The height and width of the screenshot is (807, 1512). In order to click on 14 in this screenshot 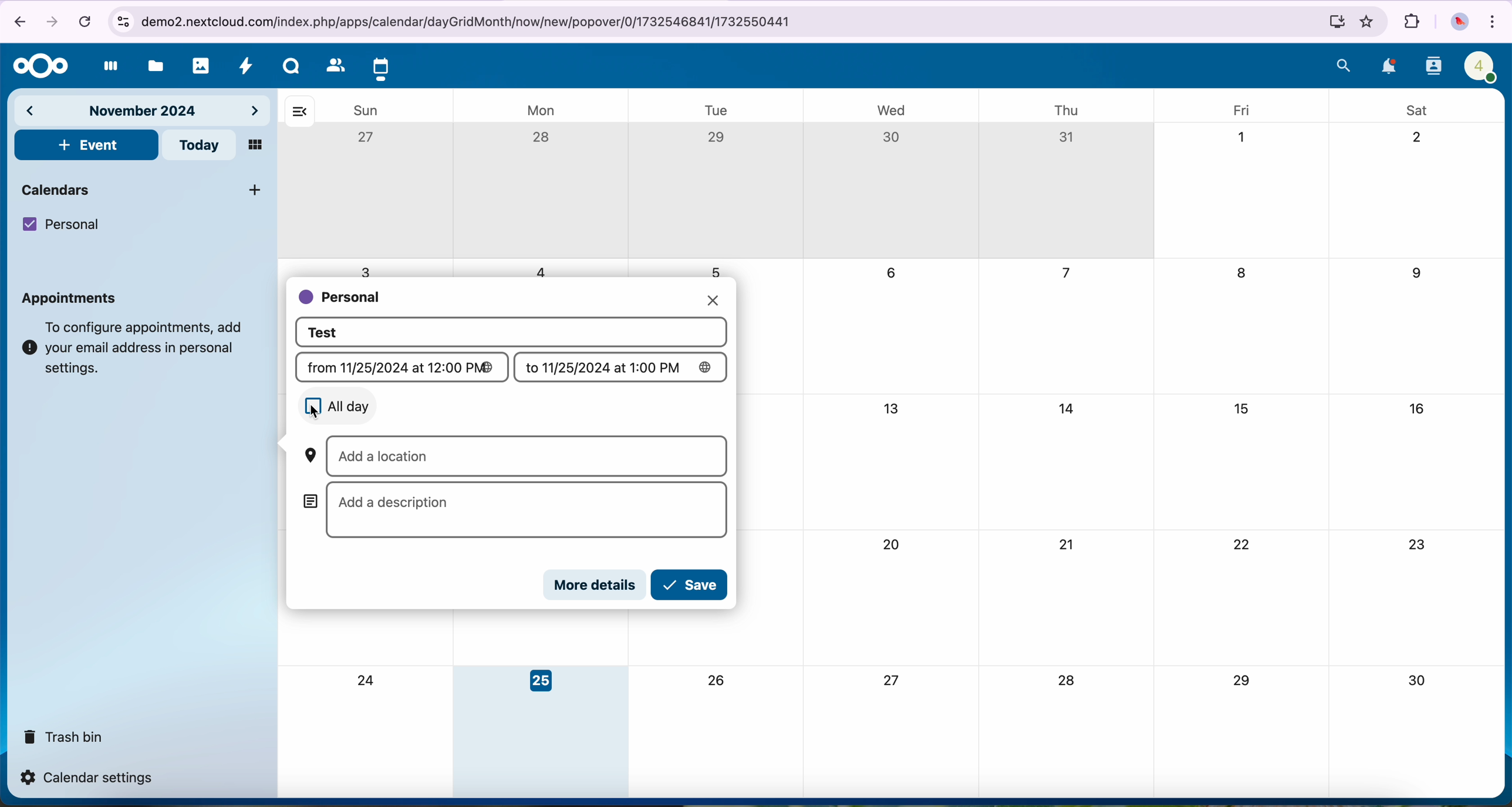, I will do `click(1071, 410)`.